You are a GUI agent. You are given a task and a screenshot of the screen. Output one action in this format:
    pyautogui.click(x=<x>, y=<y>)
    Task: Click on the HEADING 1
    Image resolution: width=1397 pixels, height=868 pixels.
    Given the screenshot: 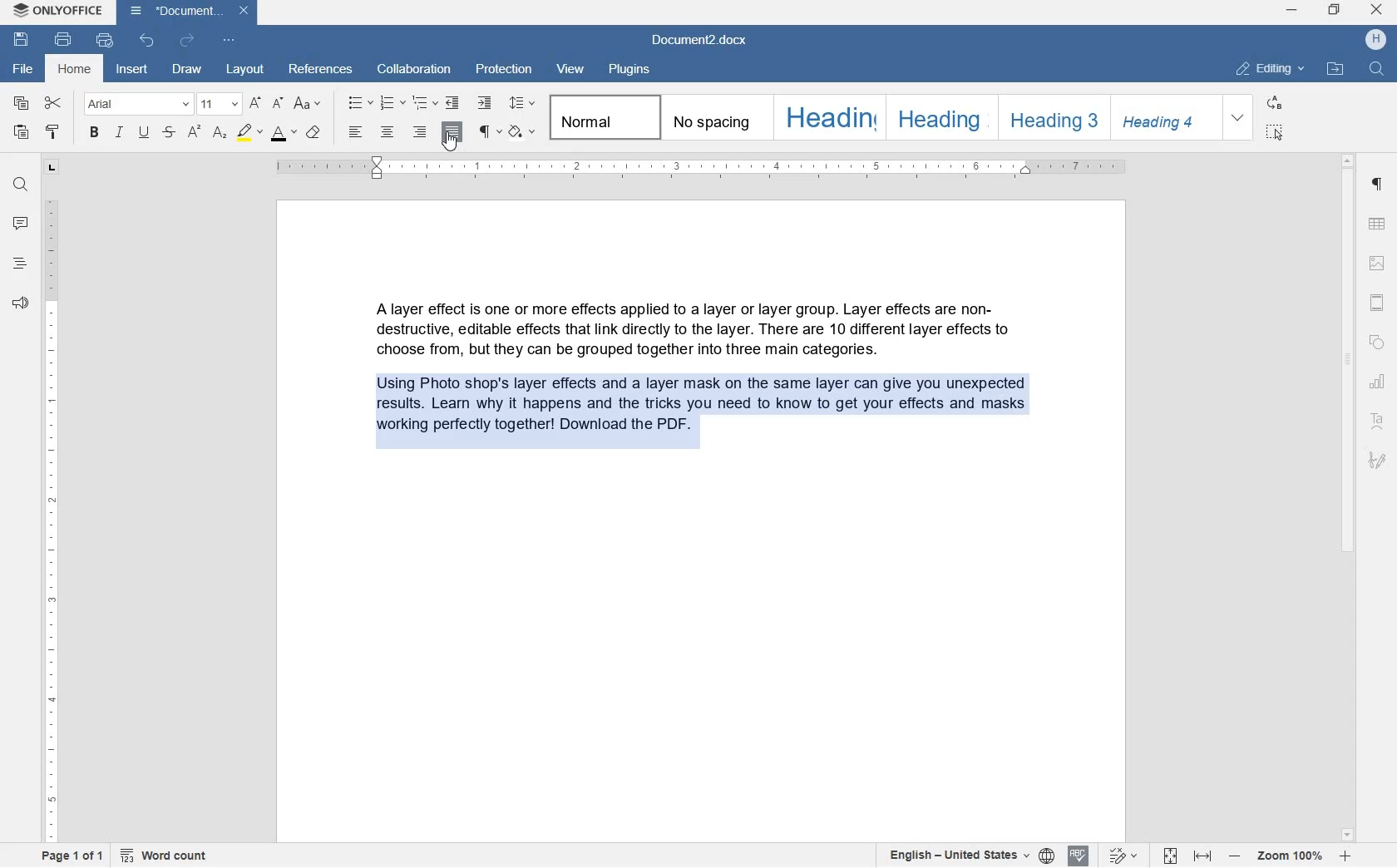 What is the action you would take?
    pyautogui.click(x=827, y=118)
    